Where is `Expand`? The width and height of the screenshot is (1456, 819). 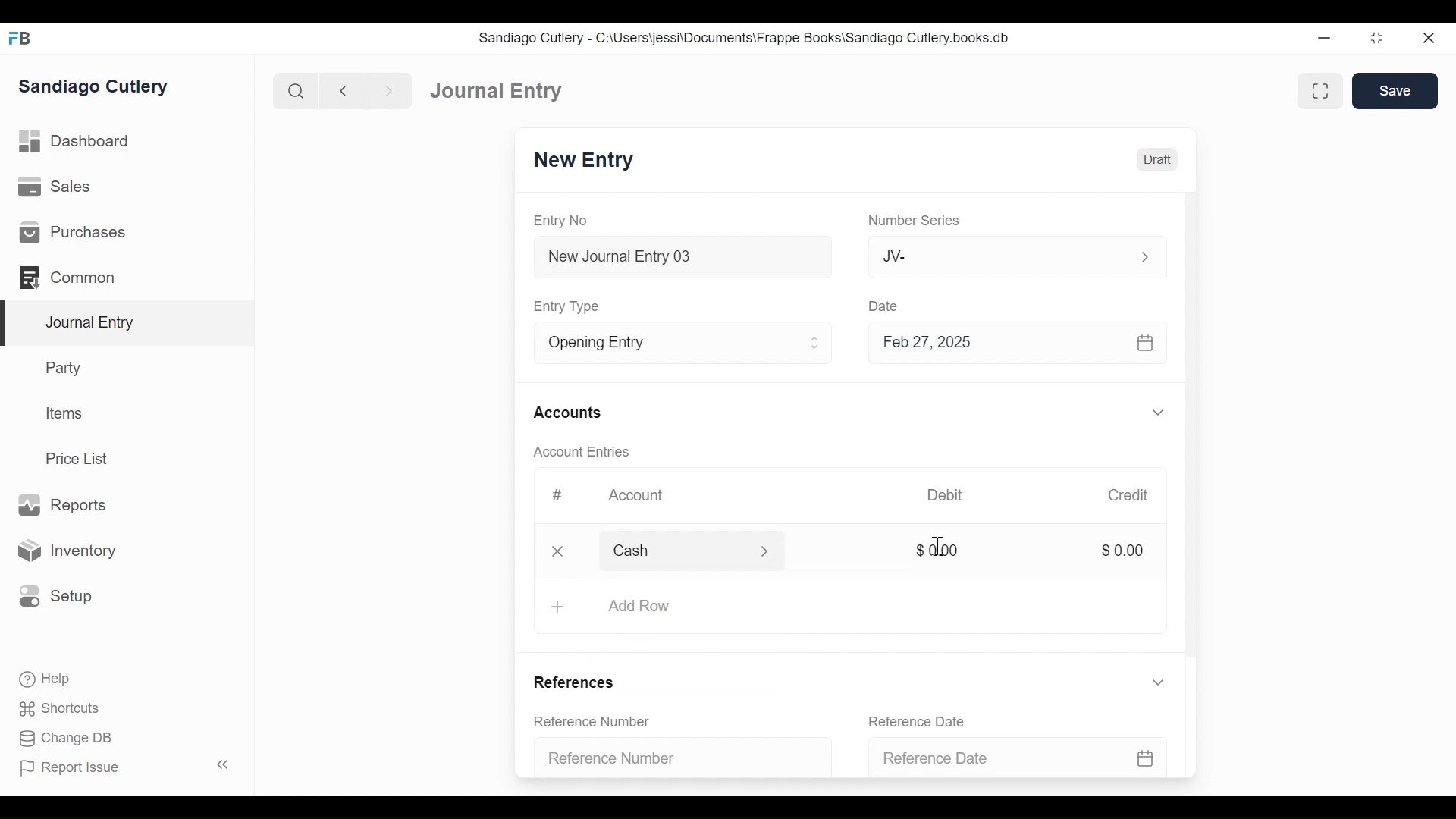
Expand is located at coordinates (1143, 256).